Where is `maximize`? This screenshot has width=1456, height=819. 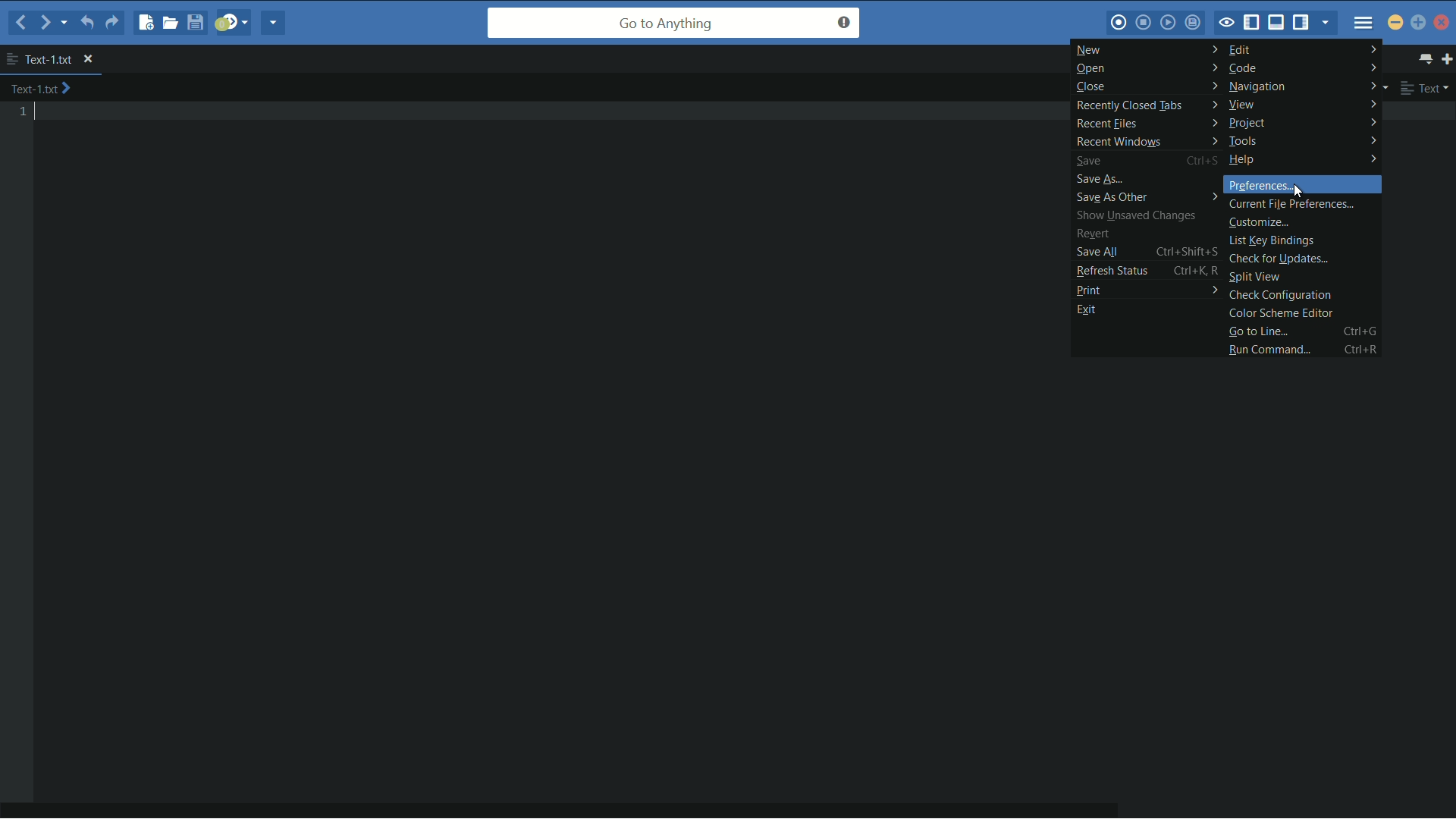
maximize is located at coordinates (1418, 22).